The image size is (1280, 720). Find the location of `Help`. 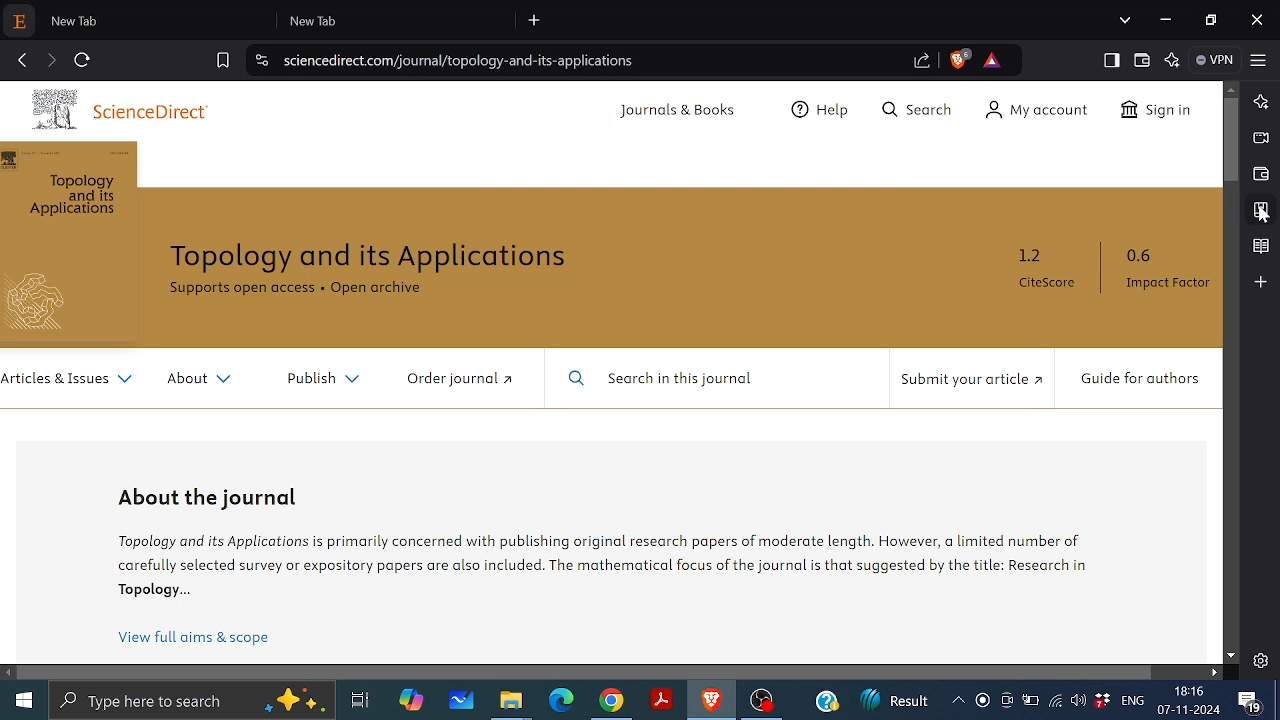

Help is located at coordinates (827, 703).